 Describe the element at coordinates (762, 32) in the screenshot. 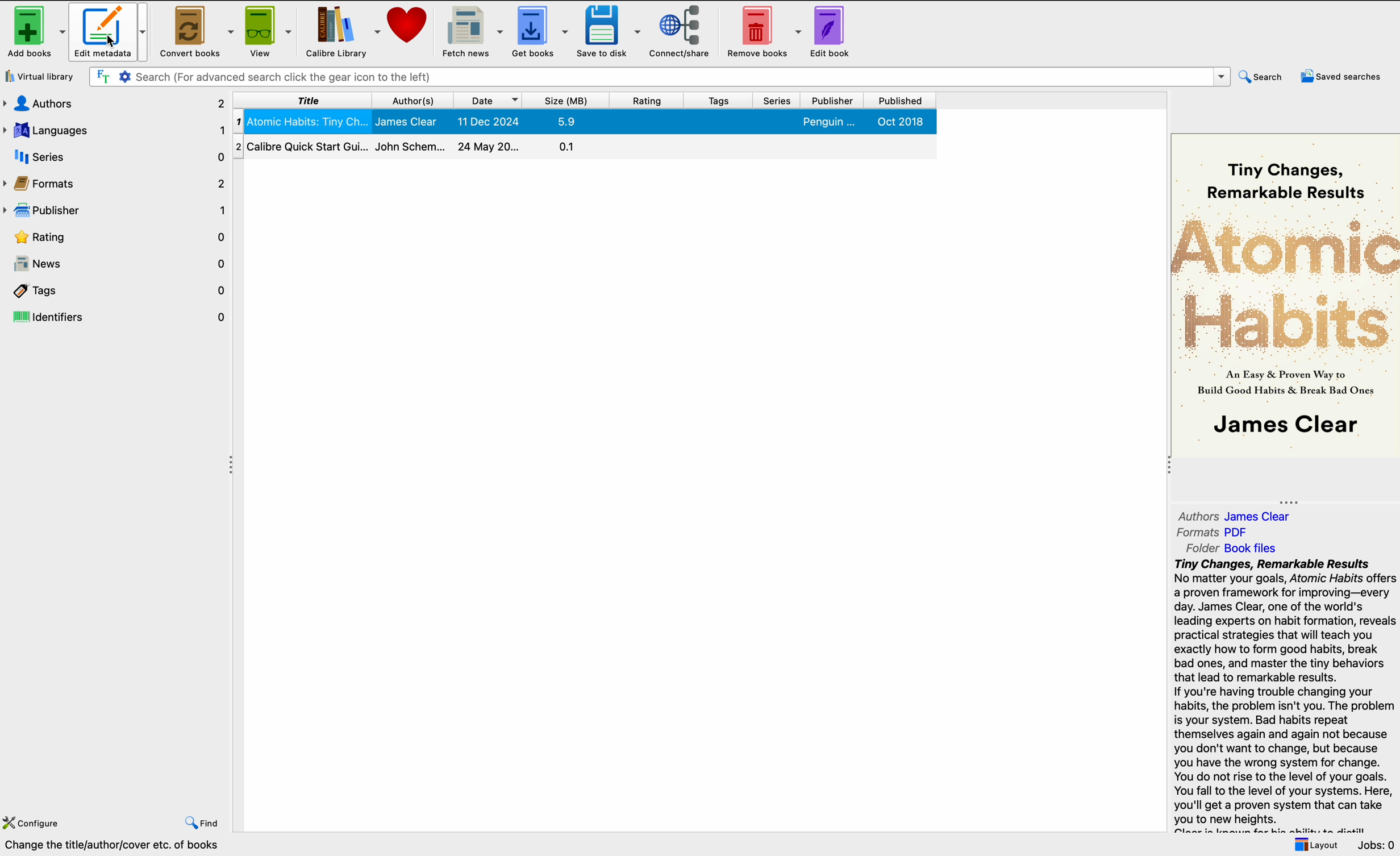

I see `remove books` at that location.